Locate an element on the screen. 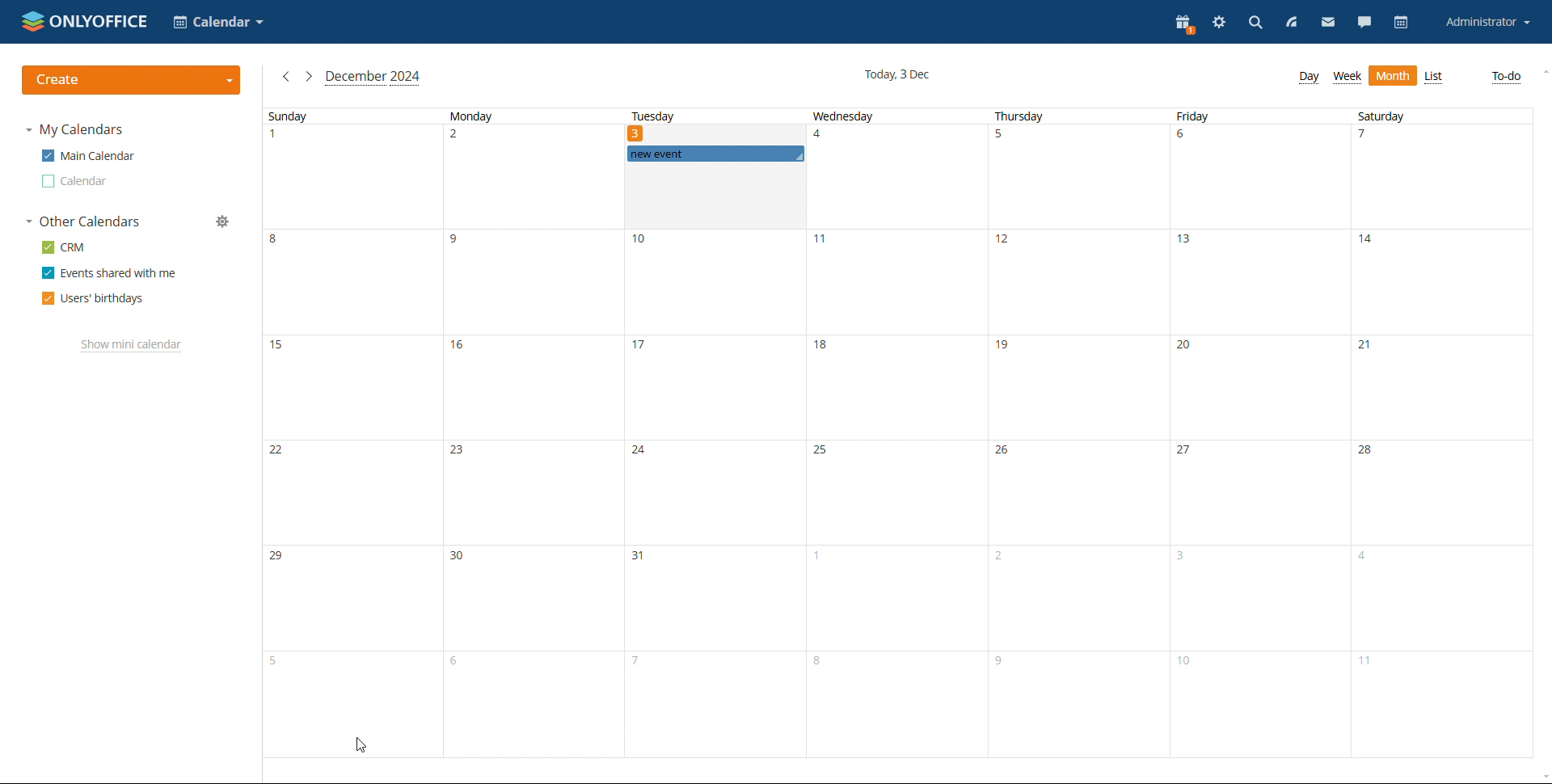  scrollbar is located at coordinates (1551, 404).